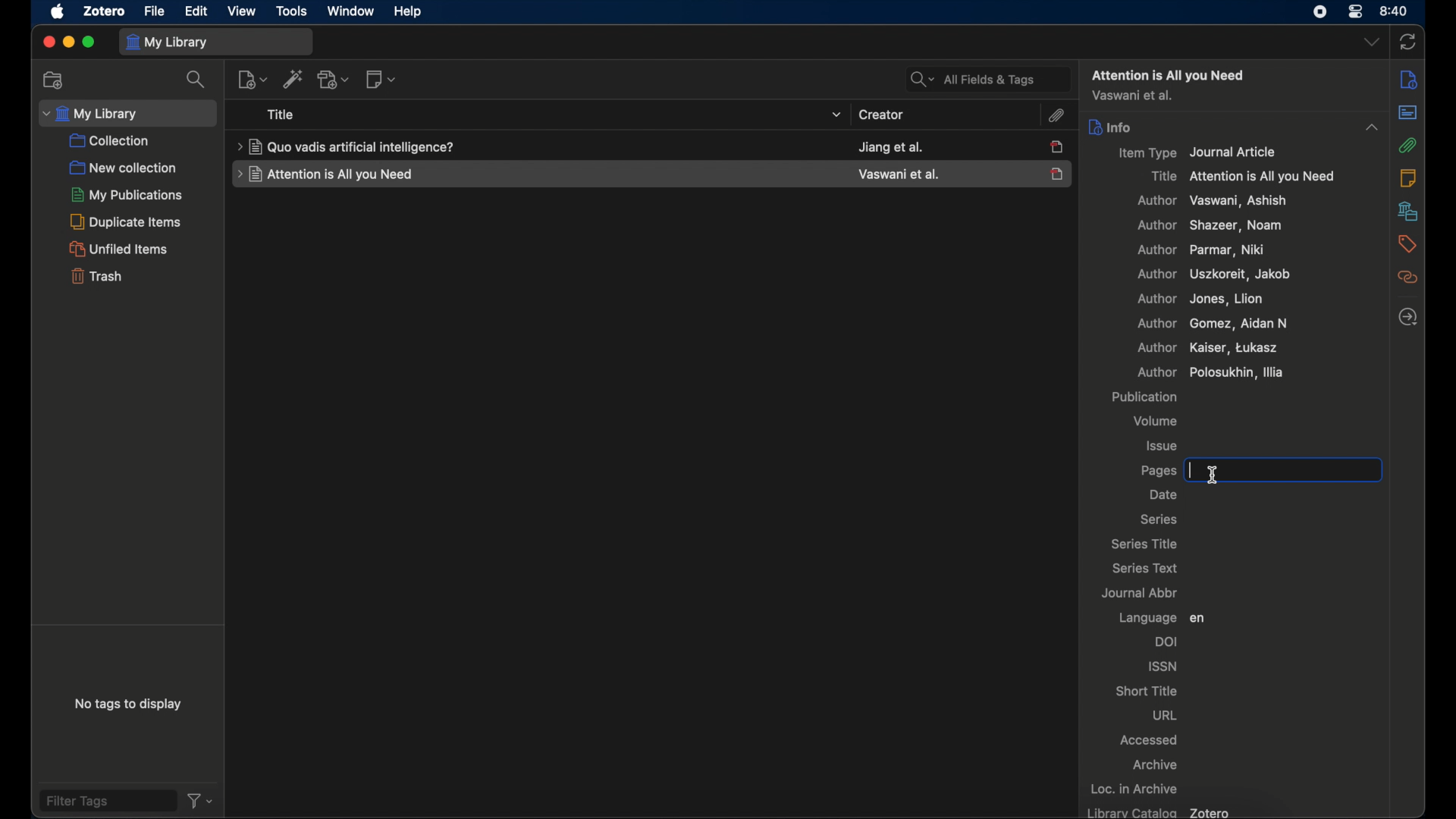 The width and height of the screenshot is (1456, 819). Describe the element at coordinates (1158, 421) in the screenshot. I see `volume` at that location.